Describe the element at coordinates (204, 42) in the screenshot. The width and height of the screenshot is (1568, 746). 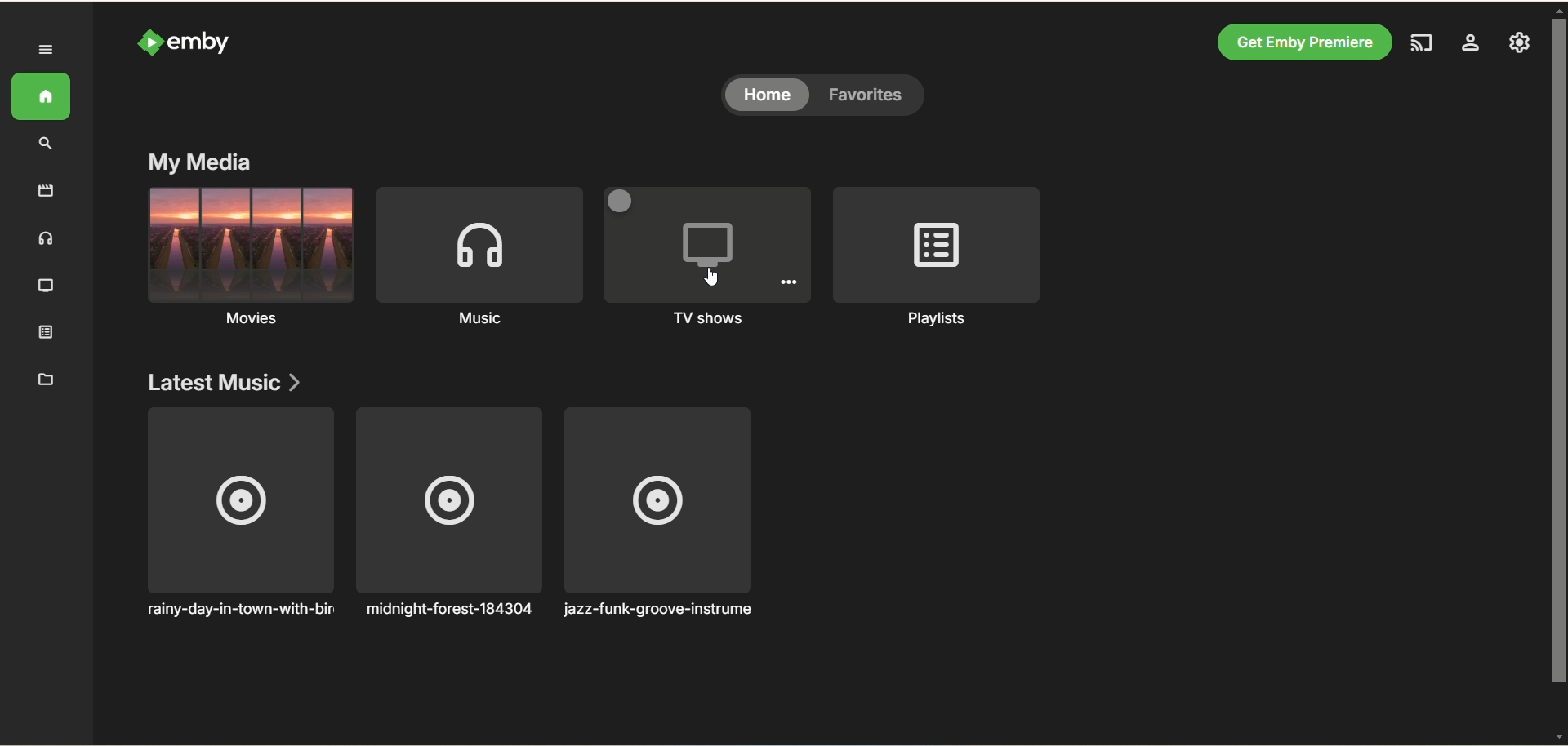
I see `emby` at that location.